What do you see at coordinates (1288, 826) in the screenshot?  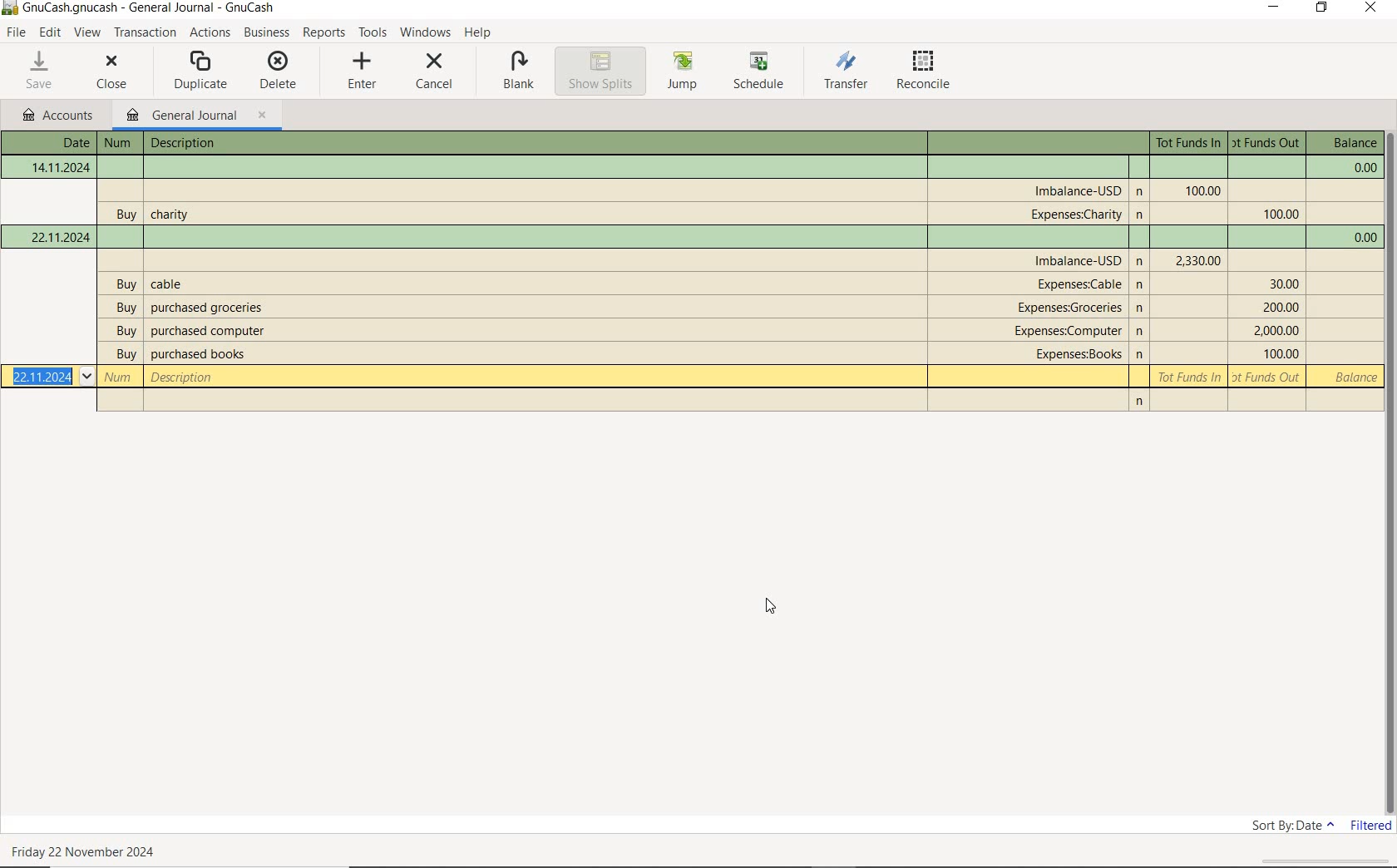 I see `SORT BY: STANDARD ORDER` at bounding box center [1288, 826].